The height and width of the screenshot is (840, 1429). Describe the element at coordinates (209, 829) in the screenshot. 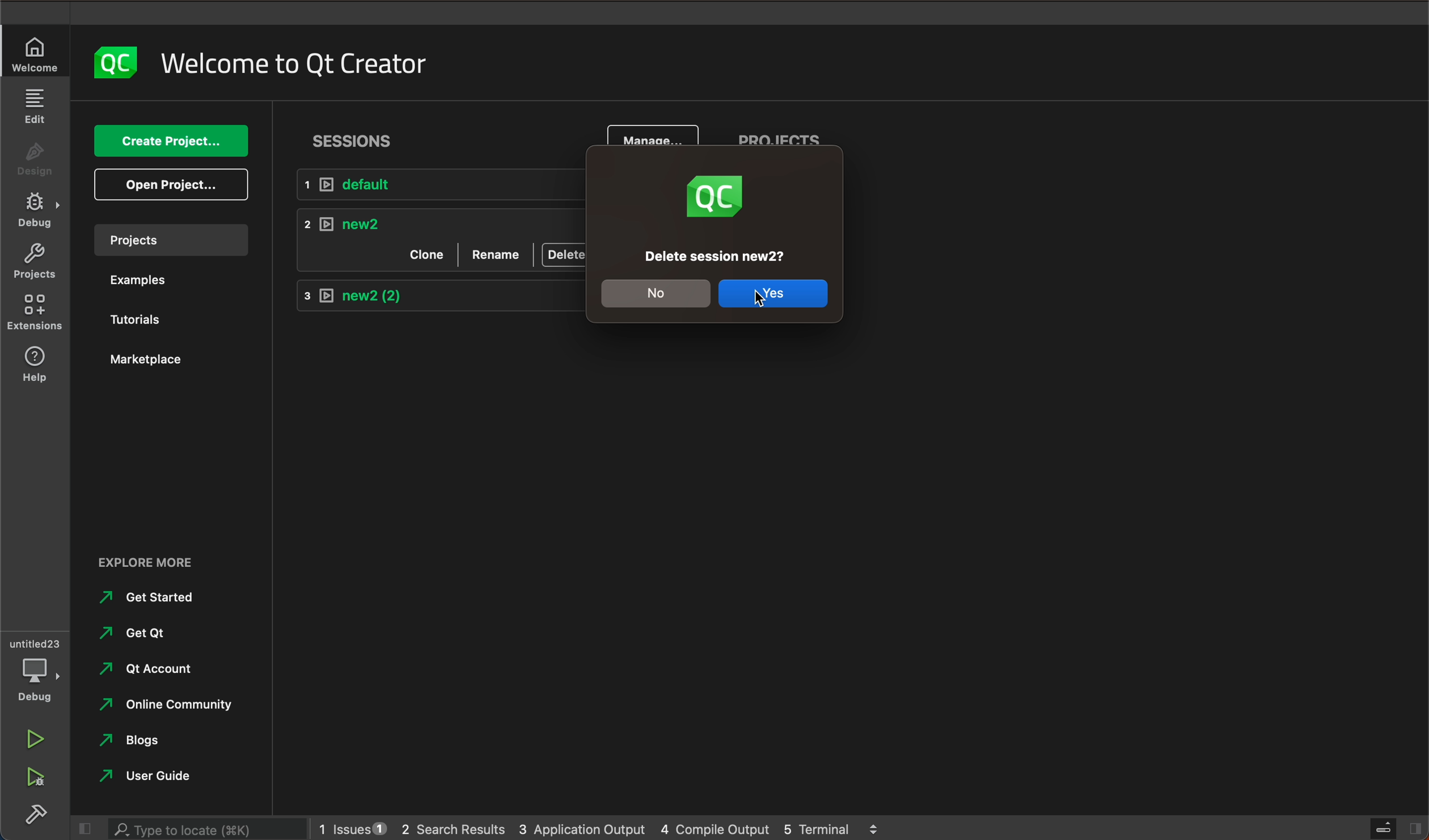

I see `search` at that location.